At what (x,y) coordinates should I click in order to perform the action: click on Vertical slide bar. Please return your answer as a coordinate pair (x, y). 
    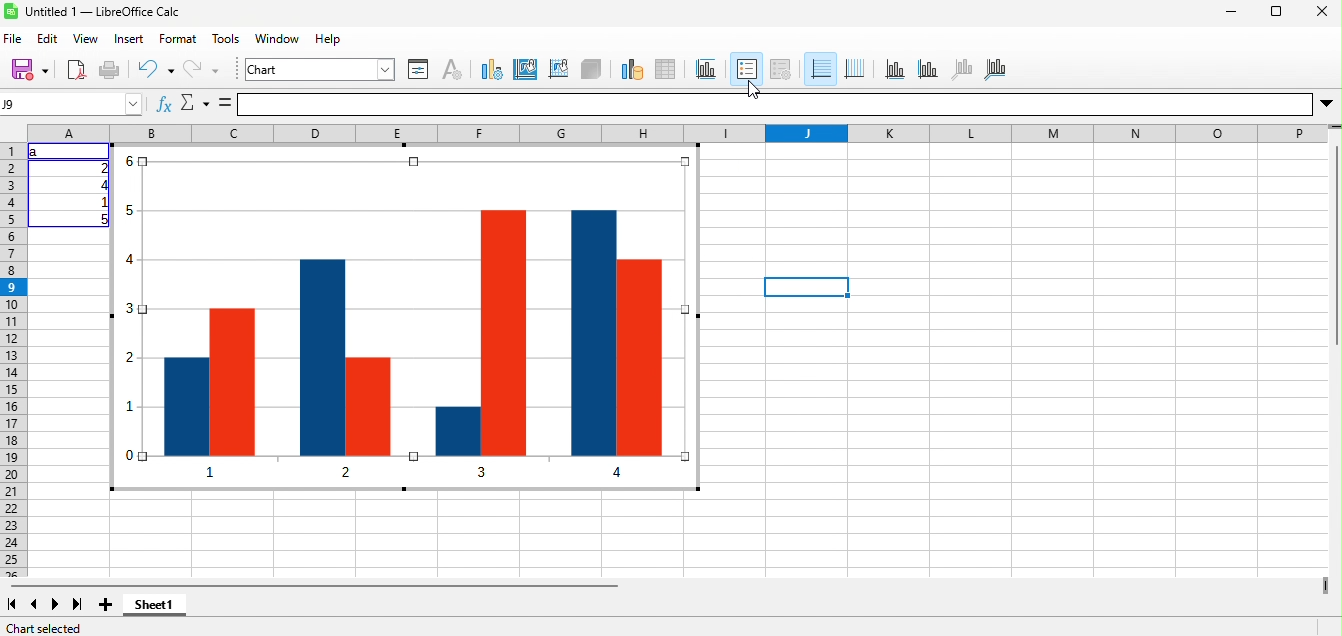
    Looking at the image, I should click on (1336, 244).